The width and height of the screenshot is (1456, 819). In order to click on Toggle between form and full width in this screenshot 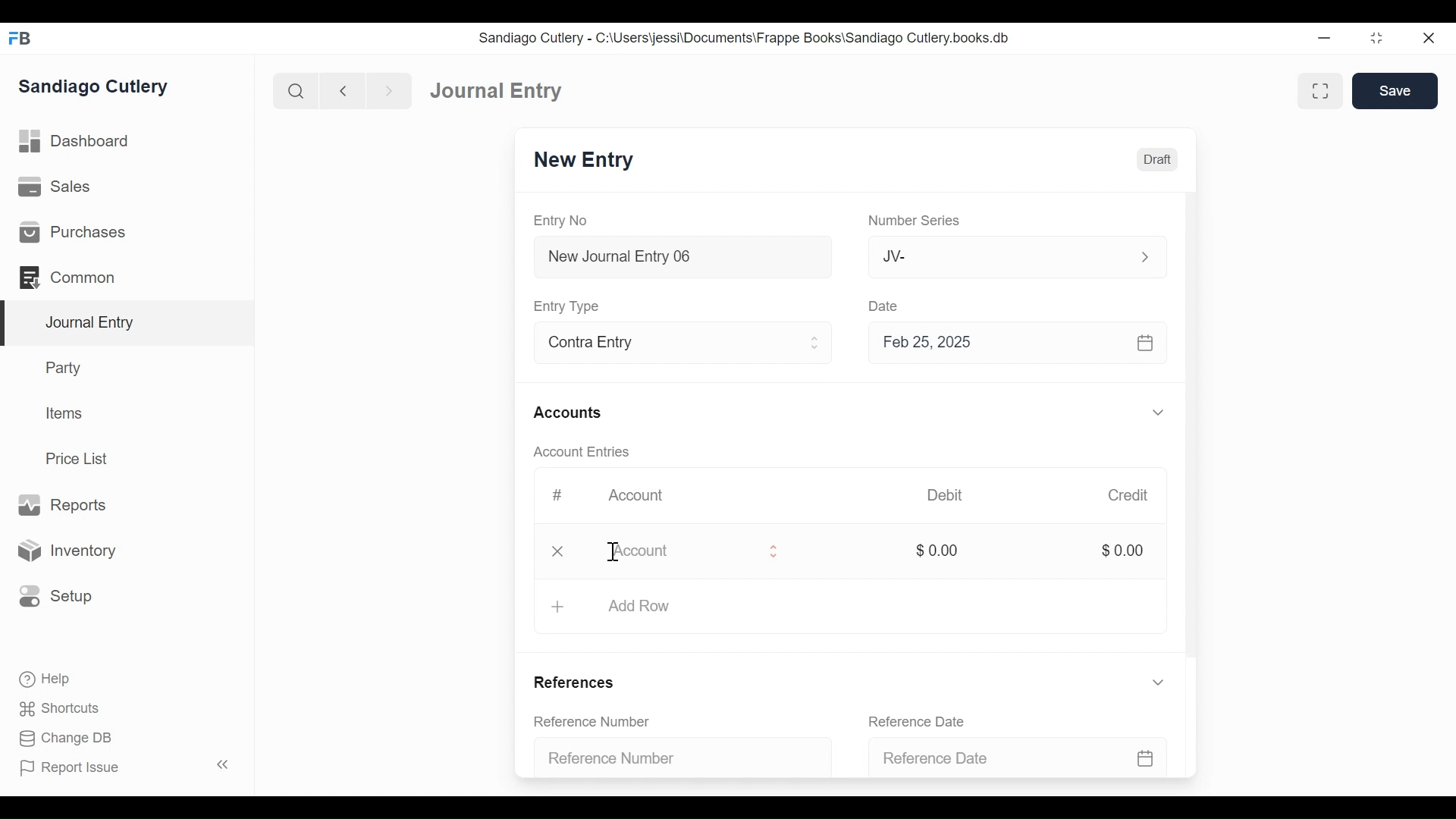, I will do `click(1320, 91)`.